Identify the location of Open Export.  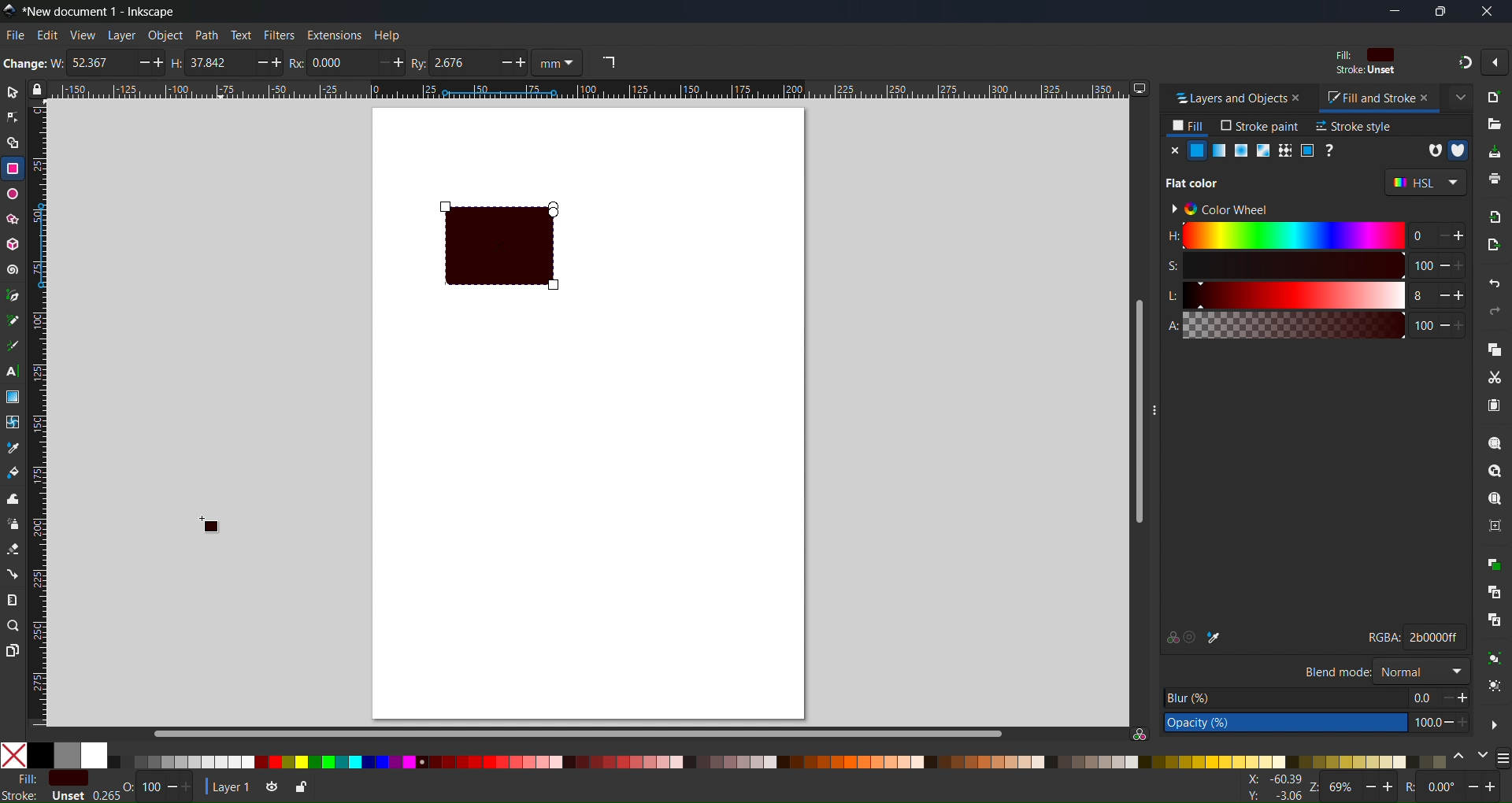
(1496, 244).